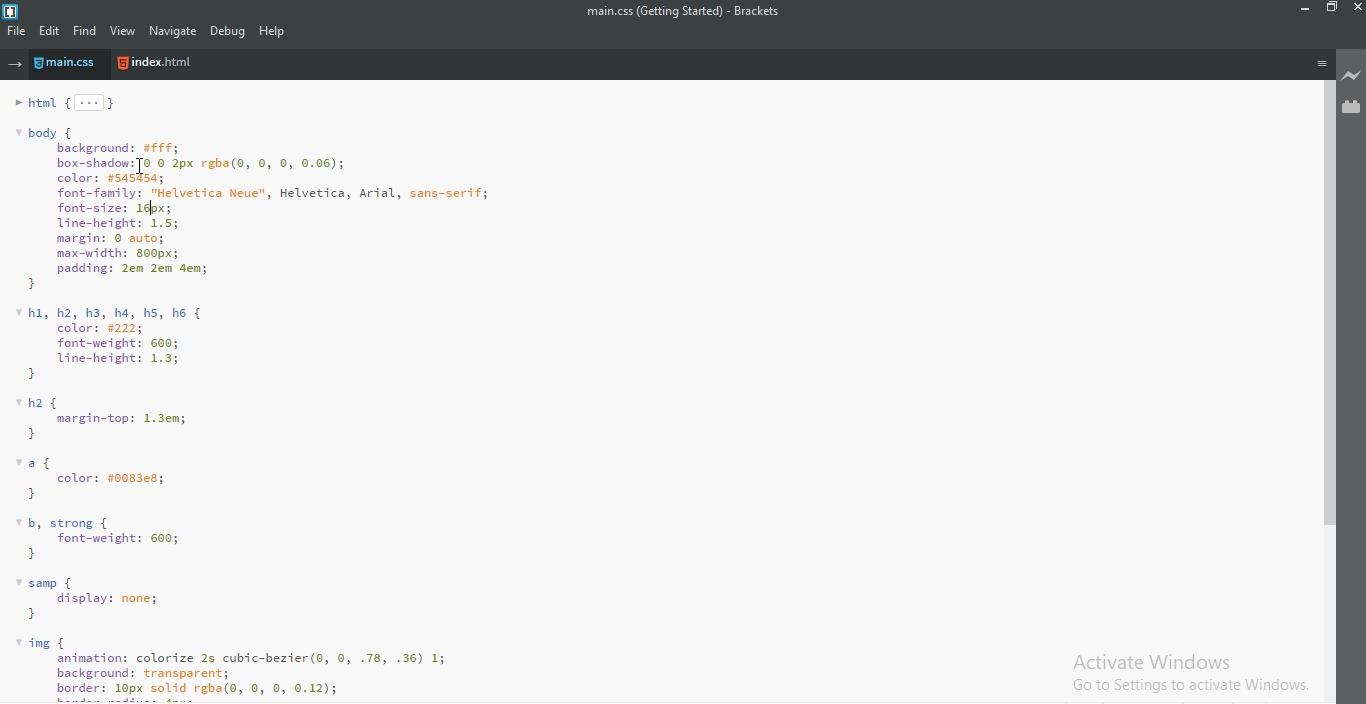 This screenshot has width=1366, height=704. Describe the element at coordinates (1321, 63) in the screenshot. I see `menu` at that location.